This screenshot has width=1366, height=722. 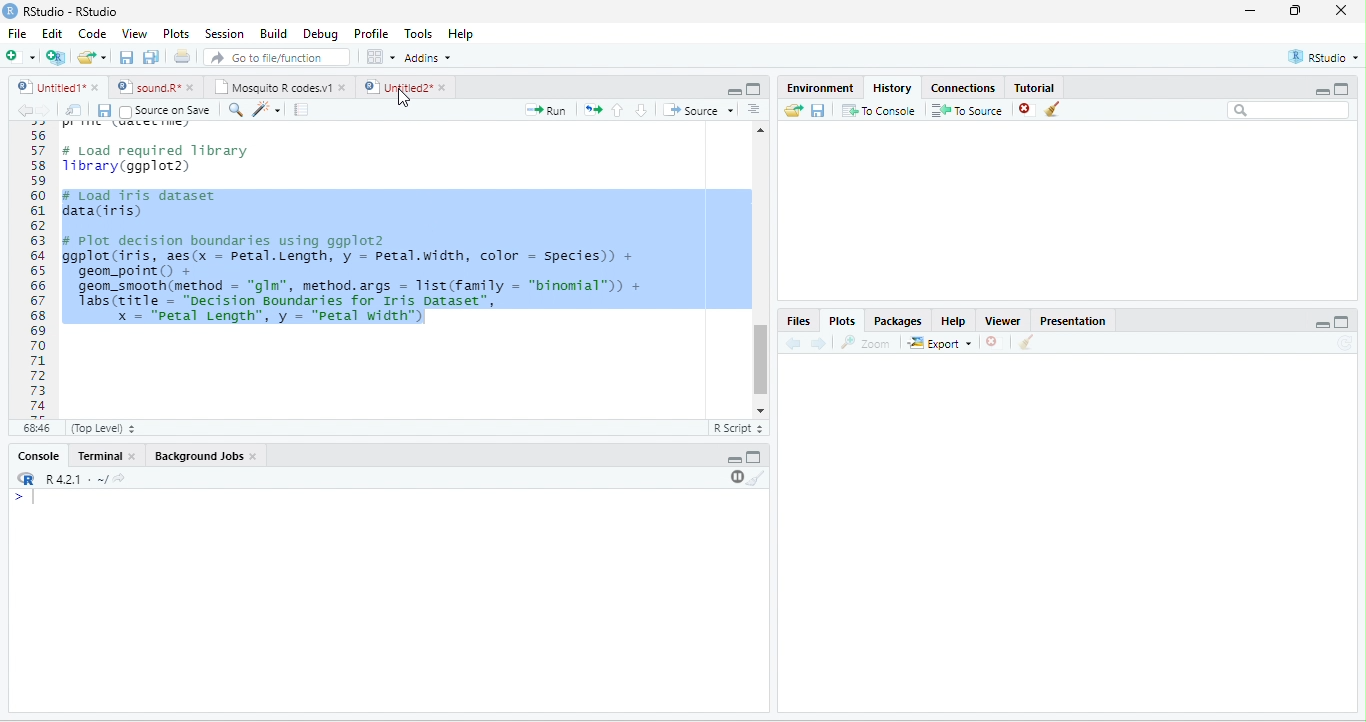 I want to click on save, so click(x=126, y=57).